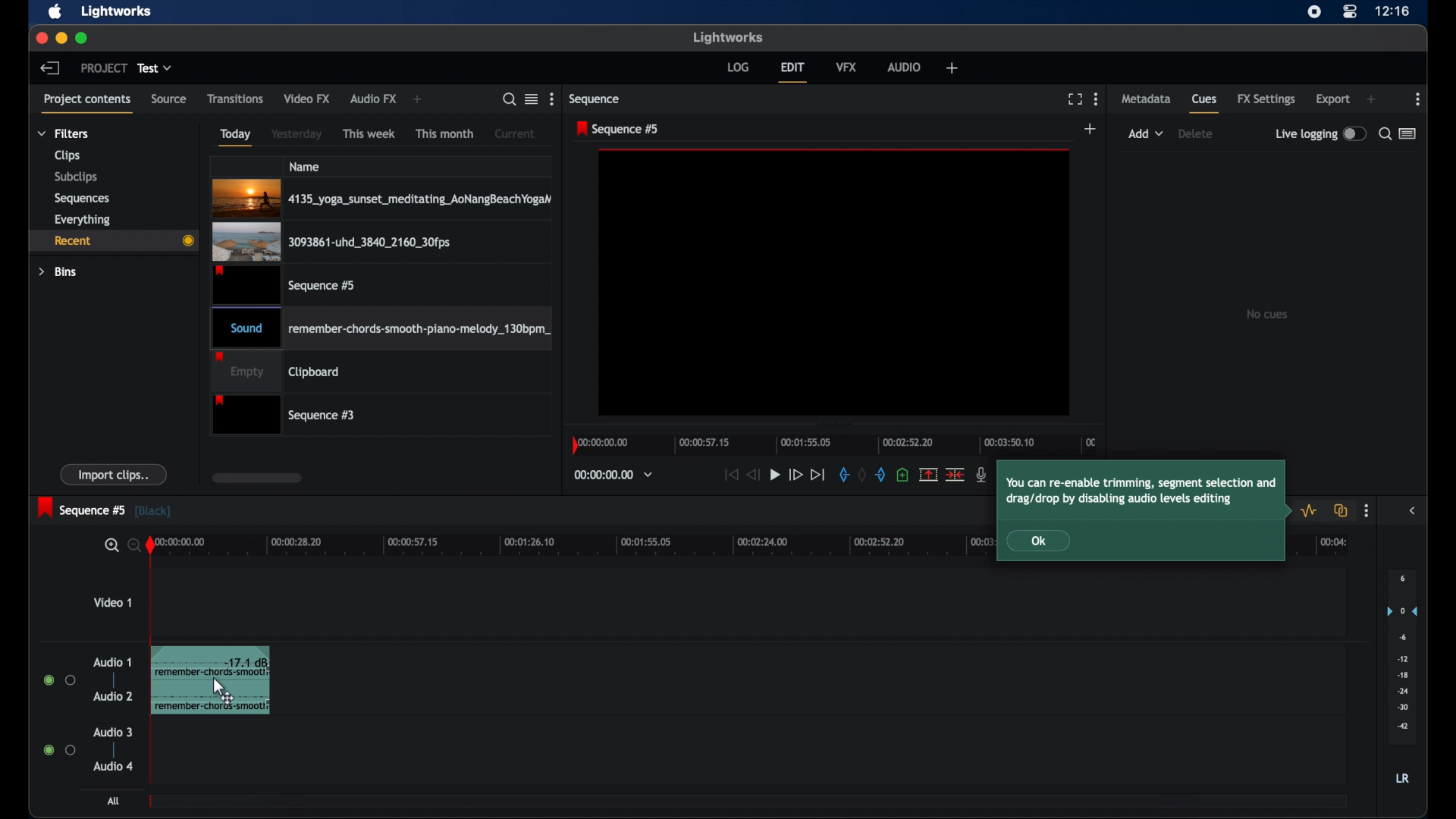 The image size is (1456, 819). I want to click on more options, so click(1366, 511).